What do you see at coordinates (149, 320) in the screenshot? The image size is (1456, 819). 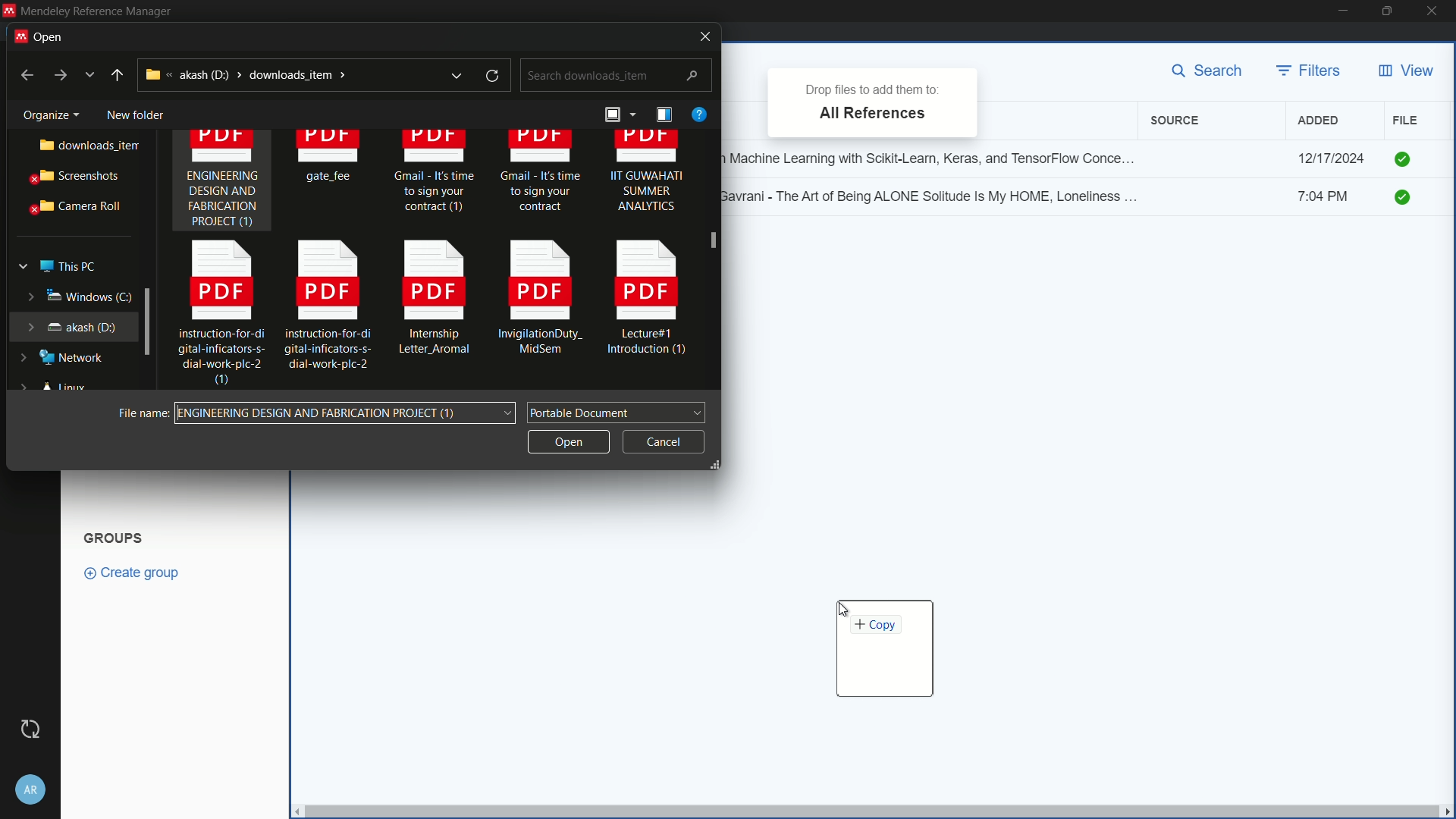 I see `expand window` at bounding box center [149, 320].